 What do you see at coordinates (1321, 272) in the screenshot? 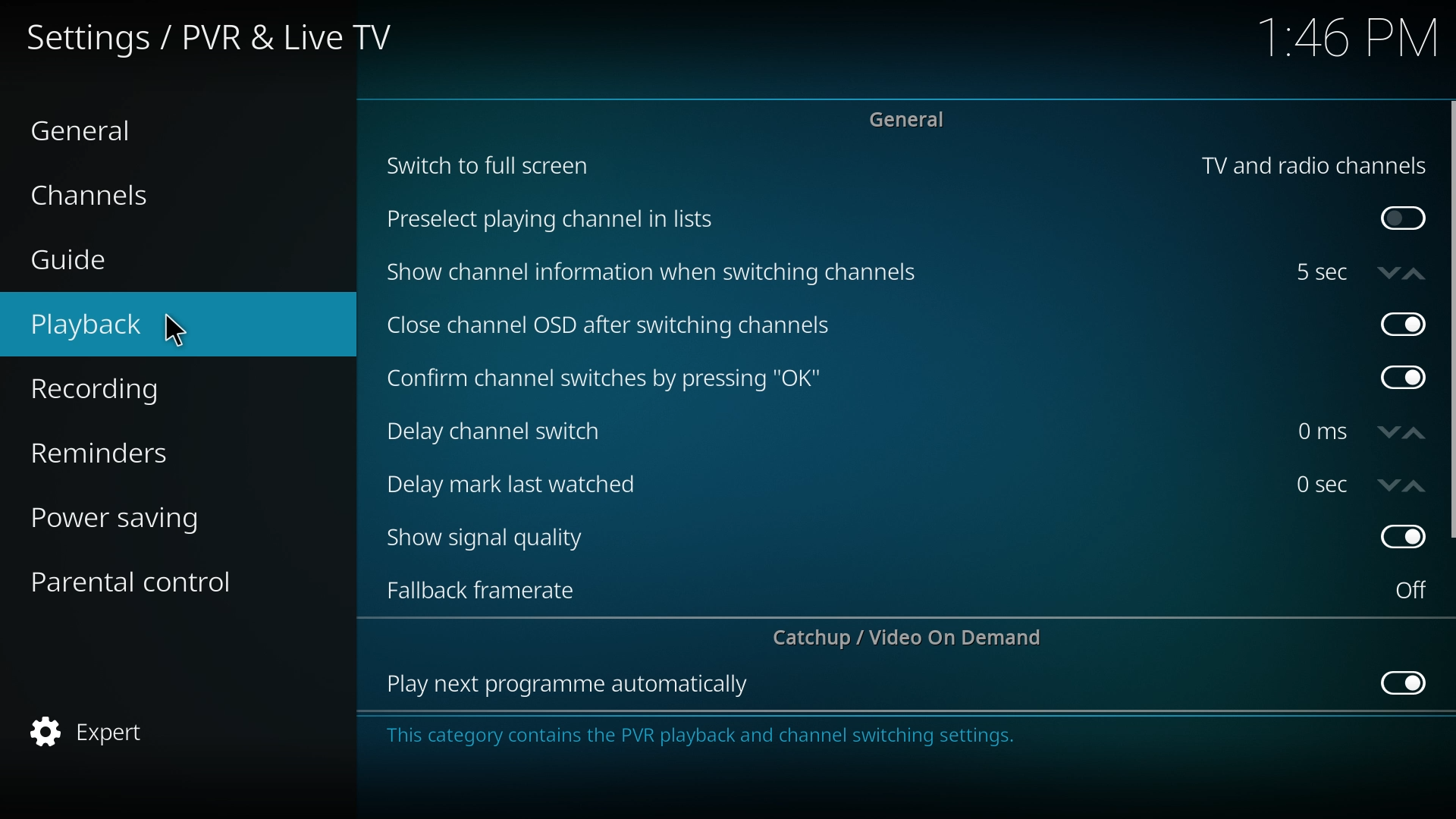
I see `time` at bounding box center [1321, 272].